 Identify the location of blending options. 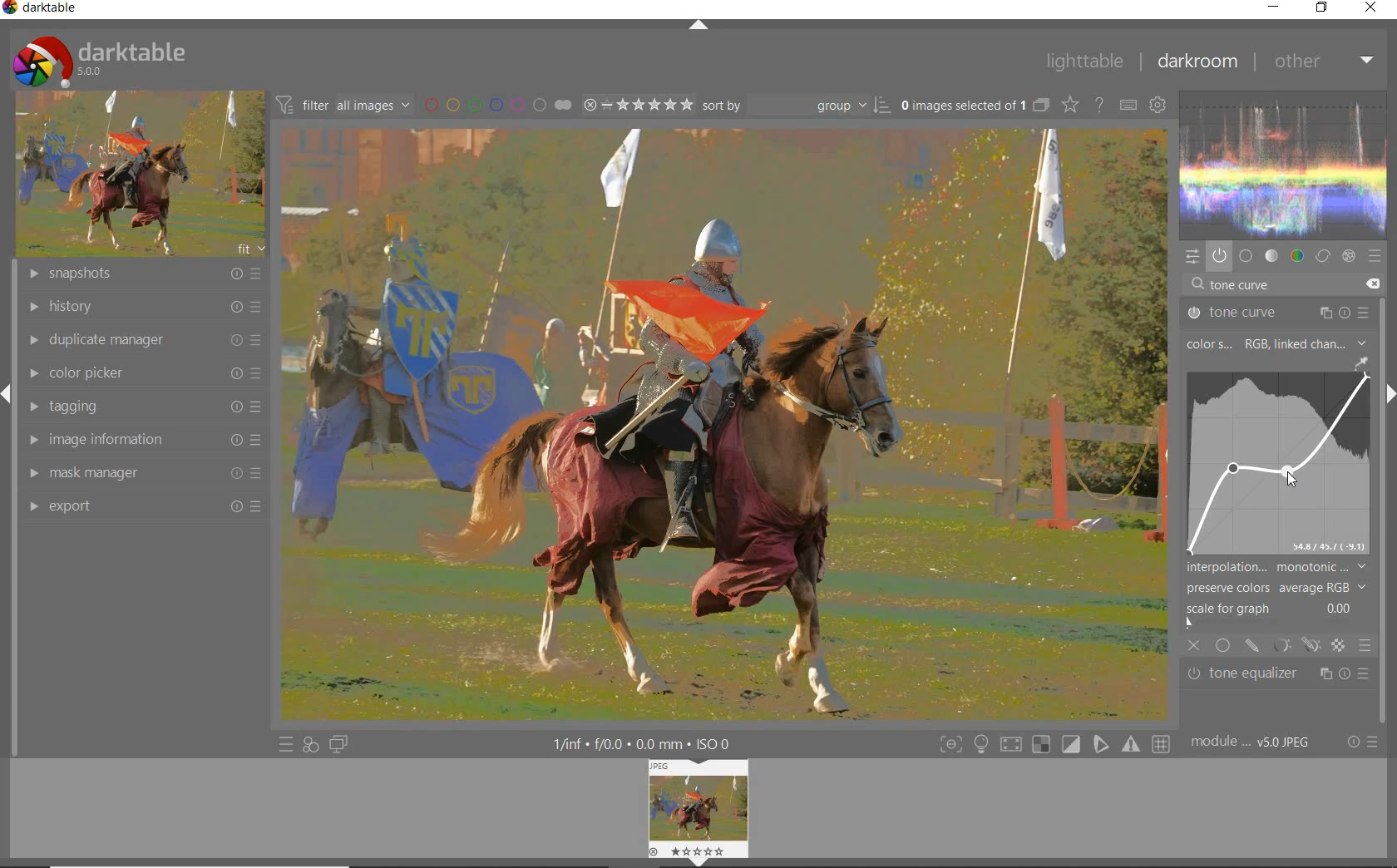
(1364, 644).